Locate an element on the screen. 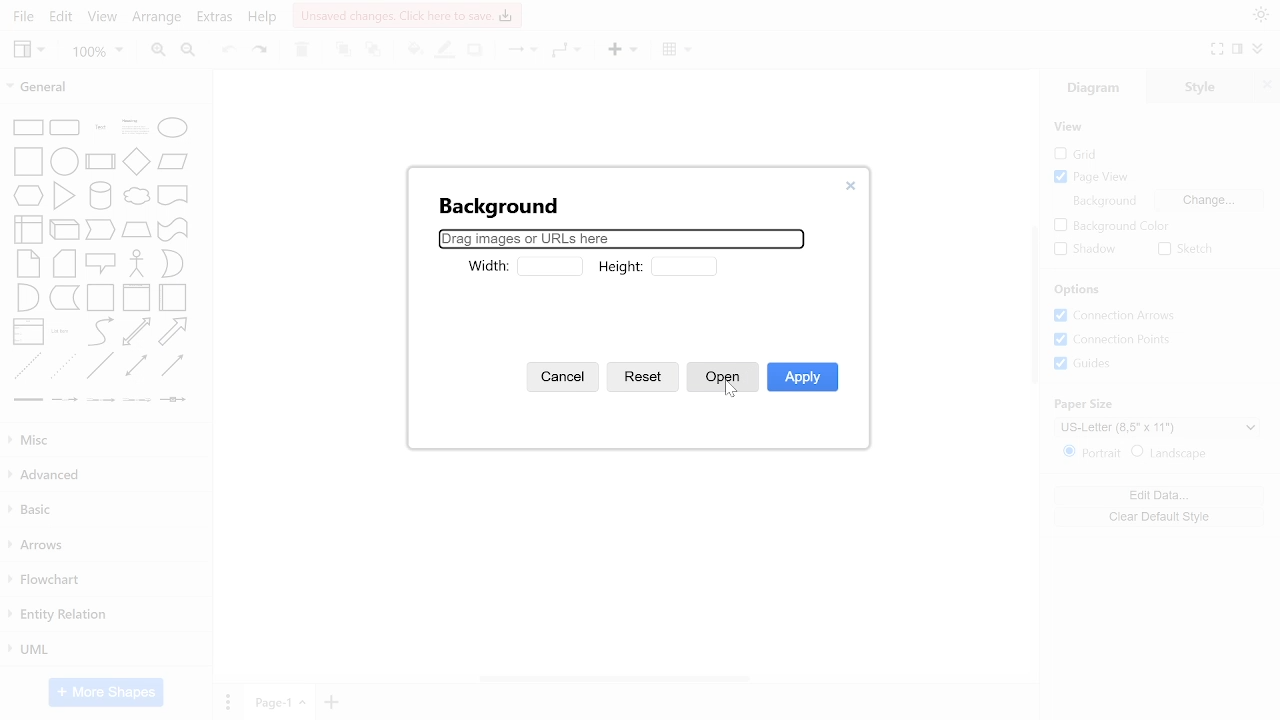 The width and height of the screenshot is (1280, 720). format is located at coordinates (1237, 50).